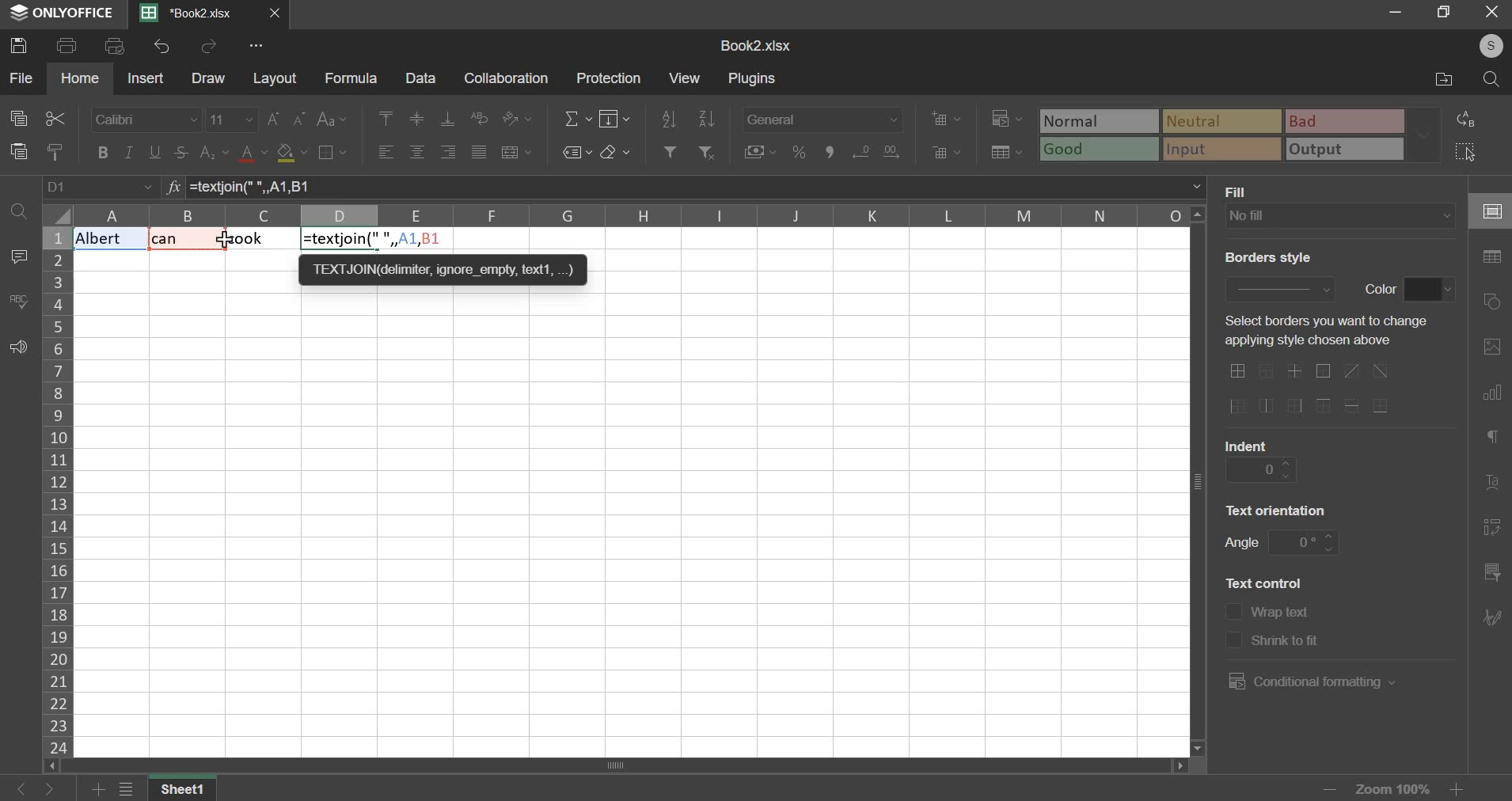 This screenshot has width=1512, height=801. I want to click on home, so click(81, 78).